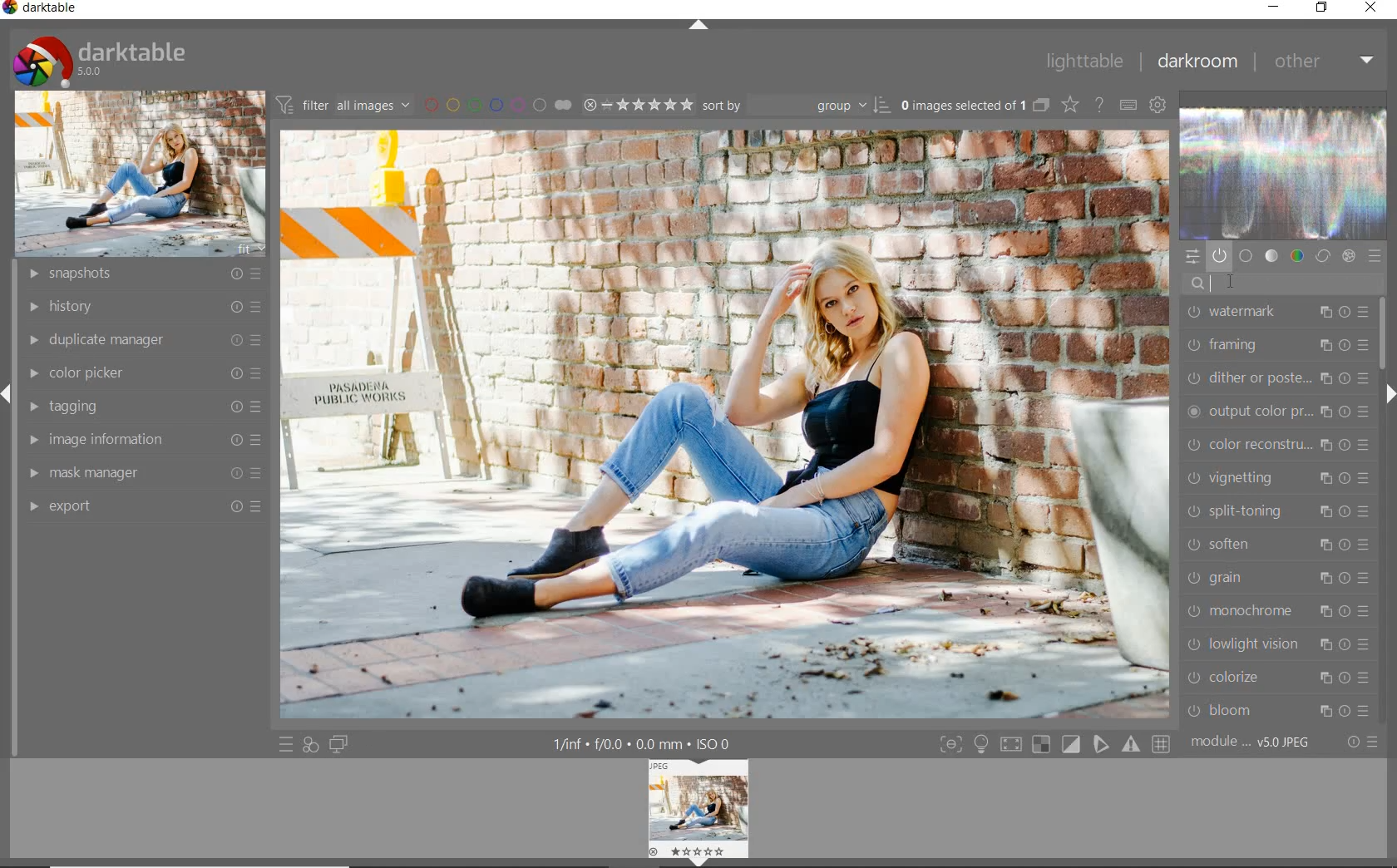  Describe the element at coordinates (101, 61) in the screenshot. I see `system logo & name` at that location.